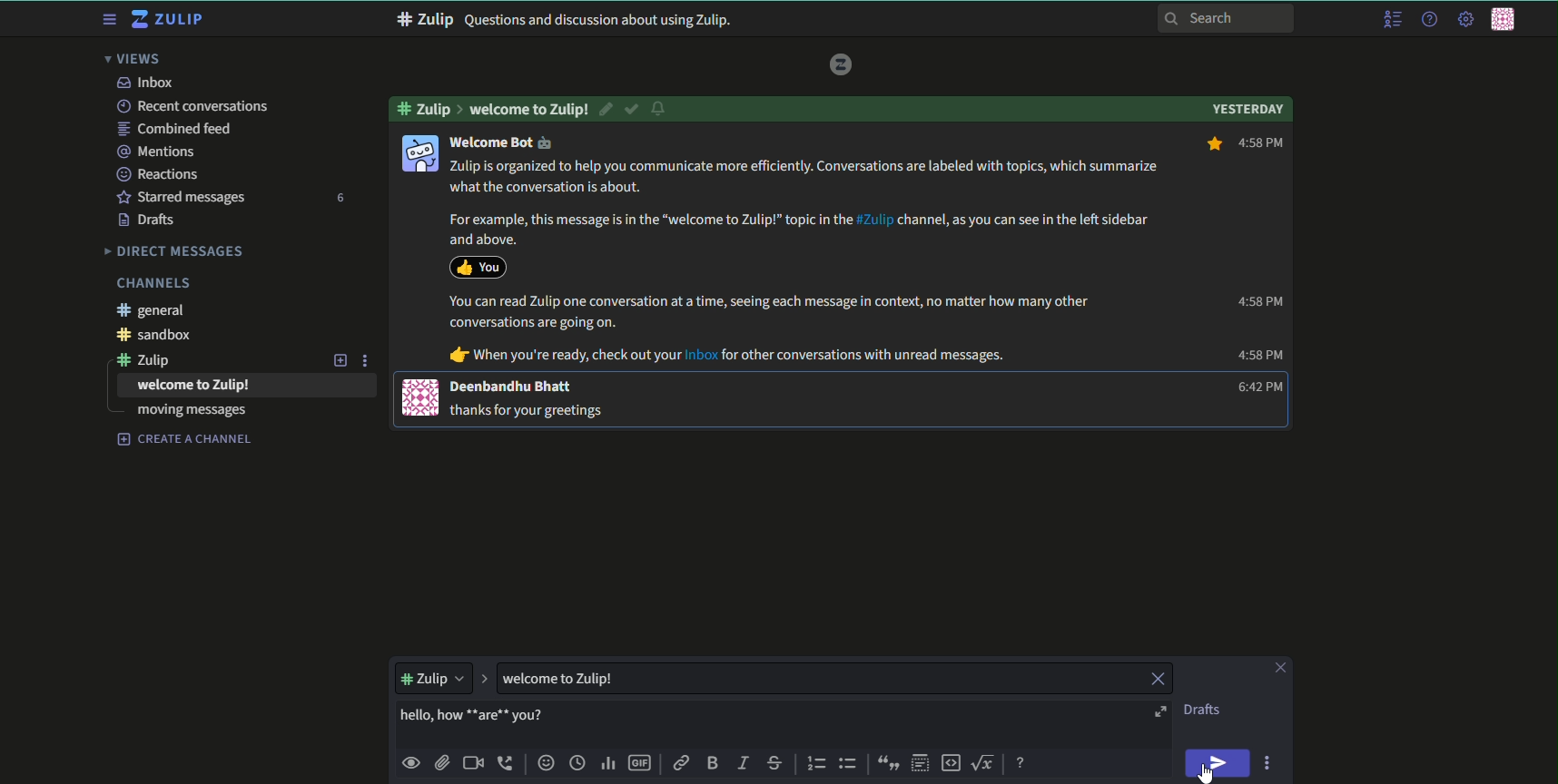 The width and height of the screenshot is (1558, 784). What do you see at coordinates (430, 676) in the screenshot?
I see `dropdown` at bounding box center [430, 676].